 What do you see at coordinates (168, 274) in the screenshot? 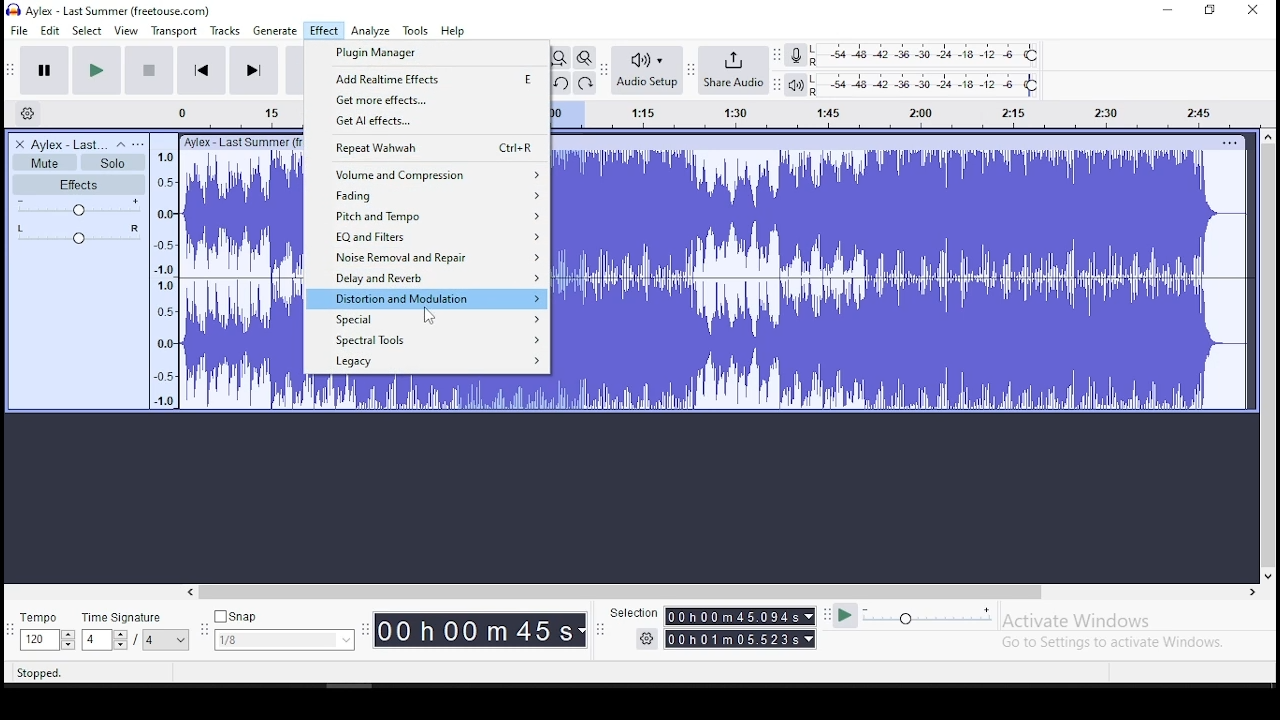
I see `timeline` at bounding box center [168, 274].